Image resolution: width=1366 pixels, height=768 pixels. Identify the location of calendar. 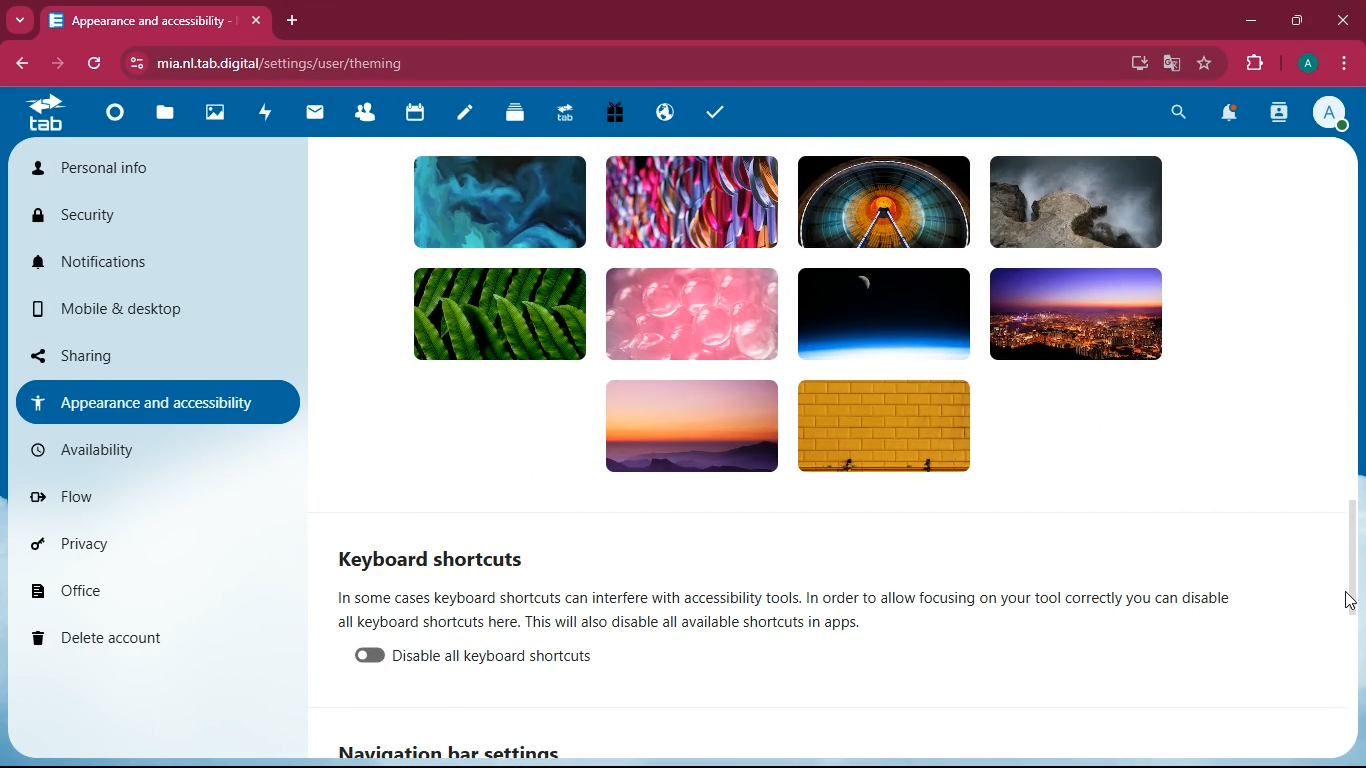
(416, 115).